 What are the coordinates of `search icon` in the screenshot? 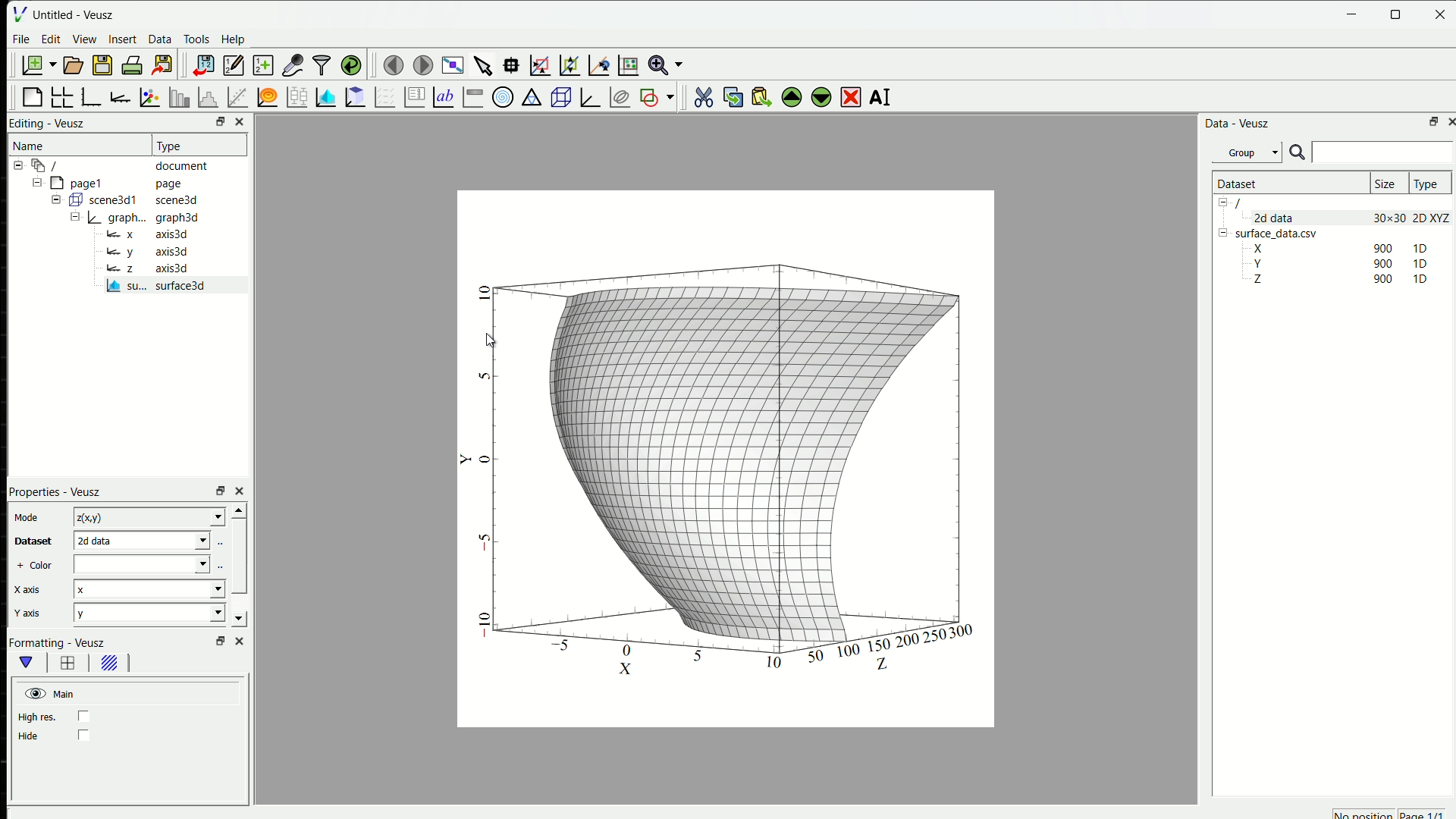 It's located at (1297, 152).